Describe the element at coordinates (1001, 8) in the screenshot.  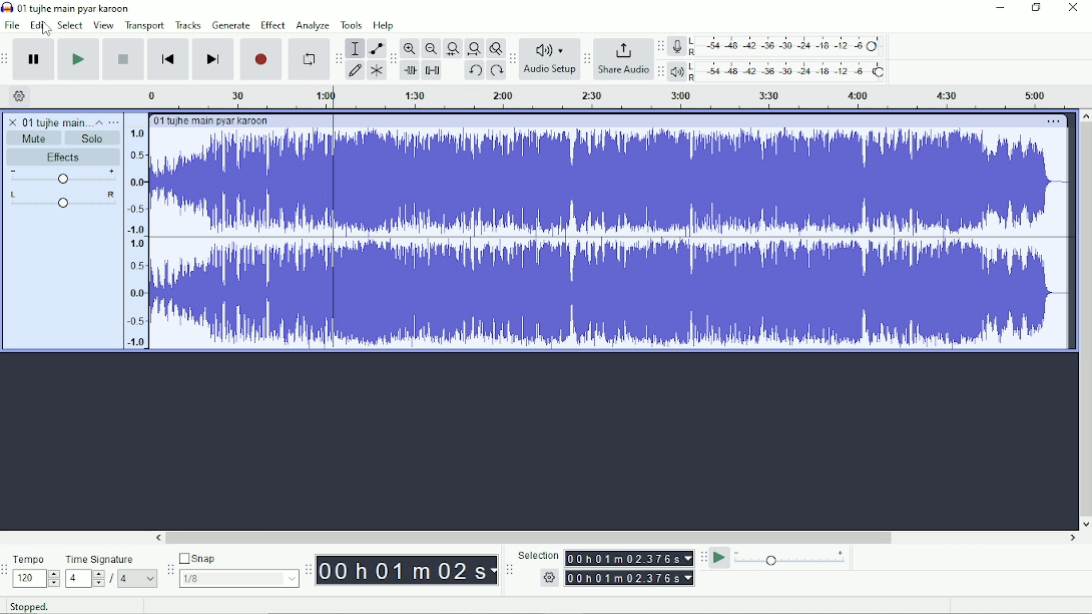
I see `Minimize` at that location.